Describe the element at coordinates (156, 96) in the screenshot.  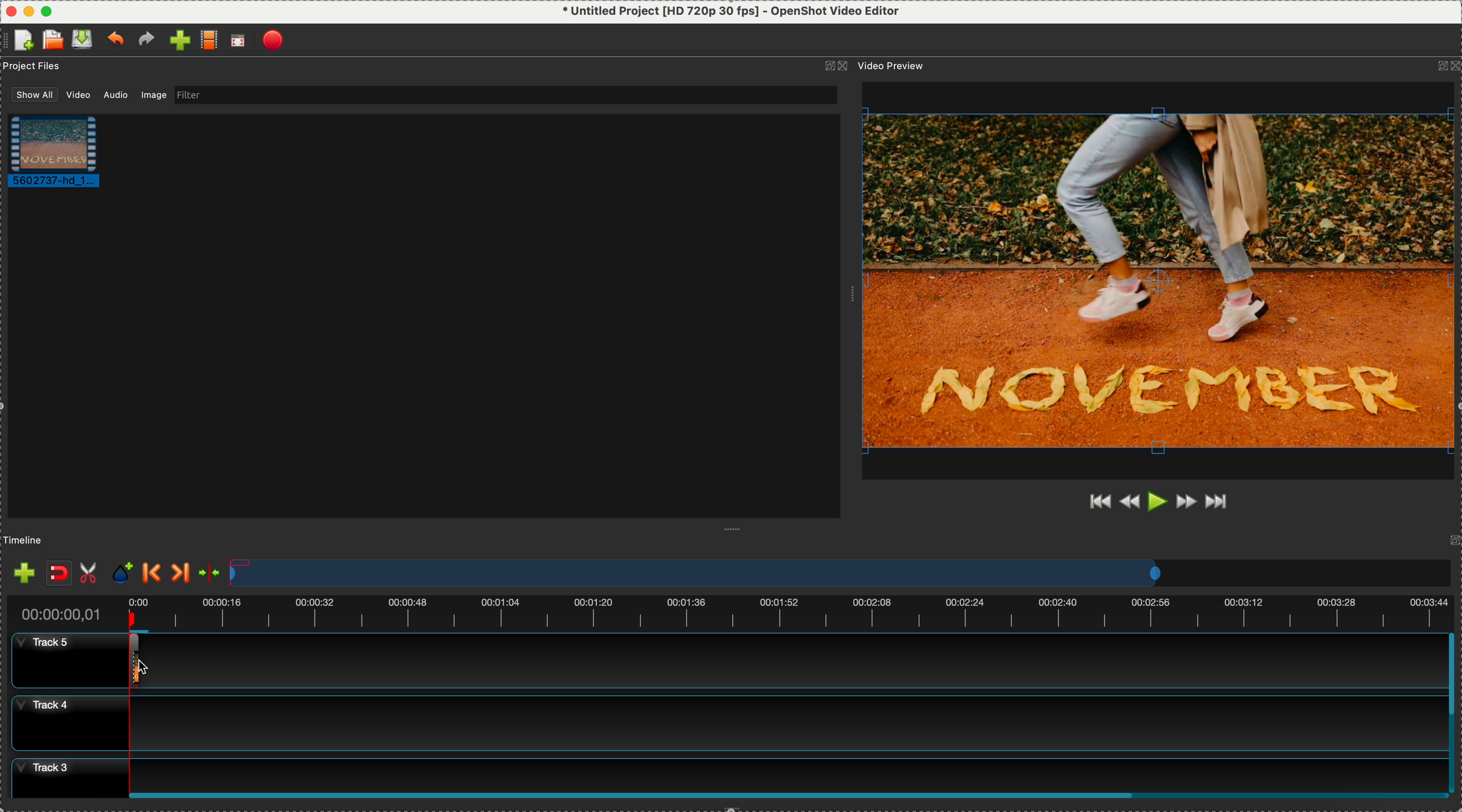
I see `image` at that location.